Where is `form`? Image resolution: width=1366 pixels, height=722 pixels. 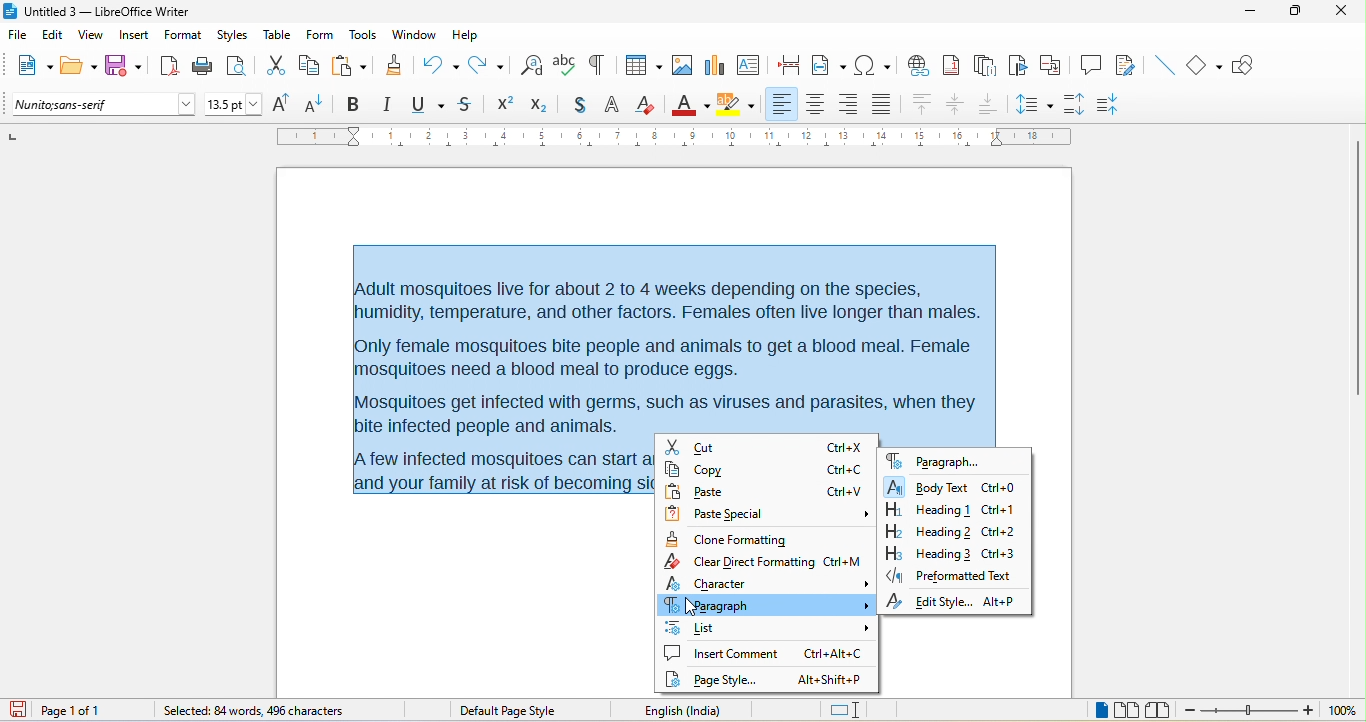
form is located at coordinates (319, 34).